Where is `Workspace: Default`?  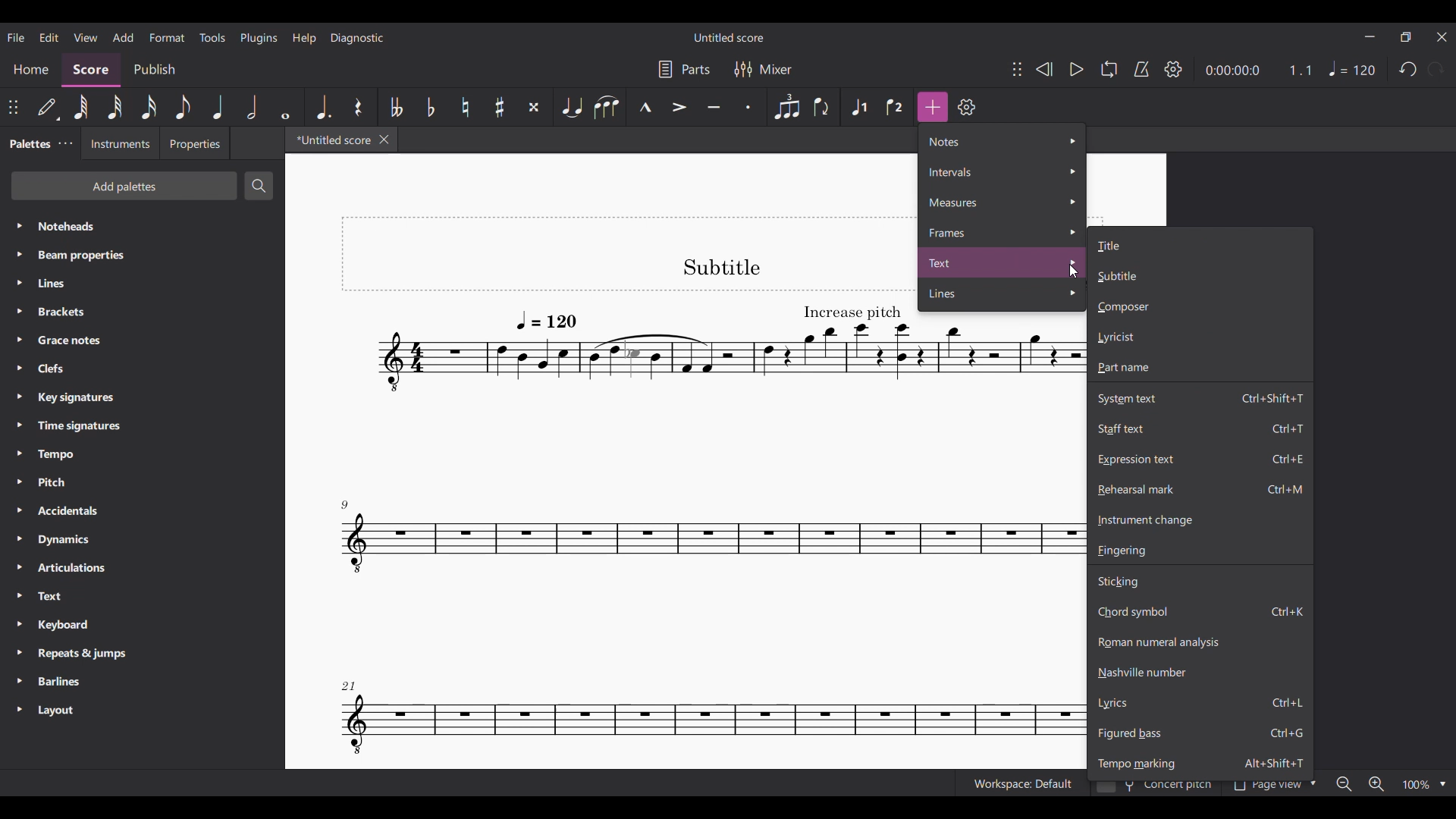 Workspace: Default is located at coordinates (1021, 783).